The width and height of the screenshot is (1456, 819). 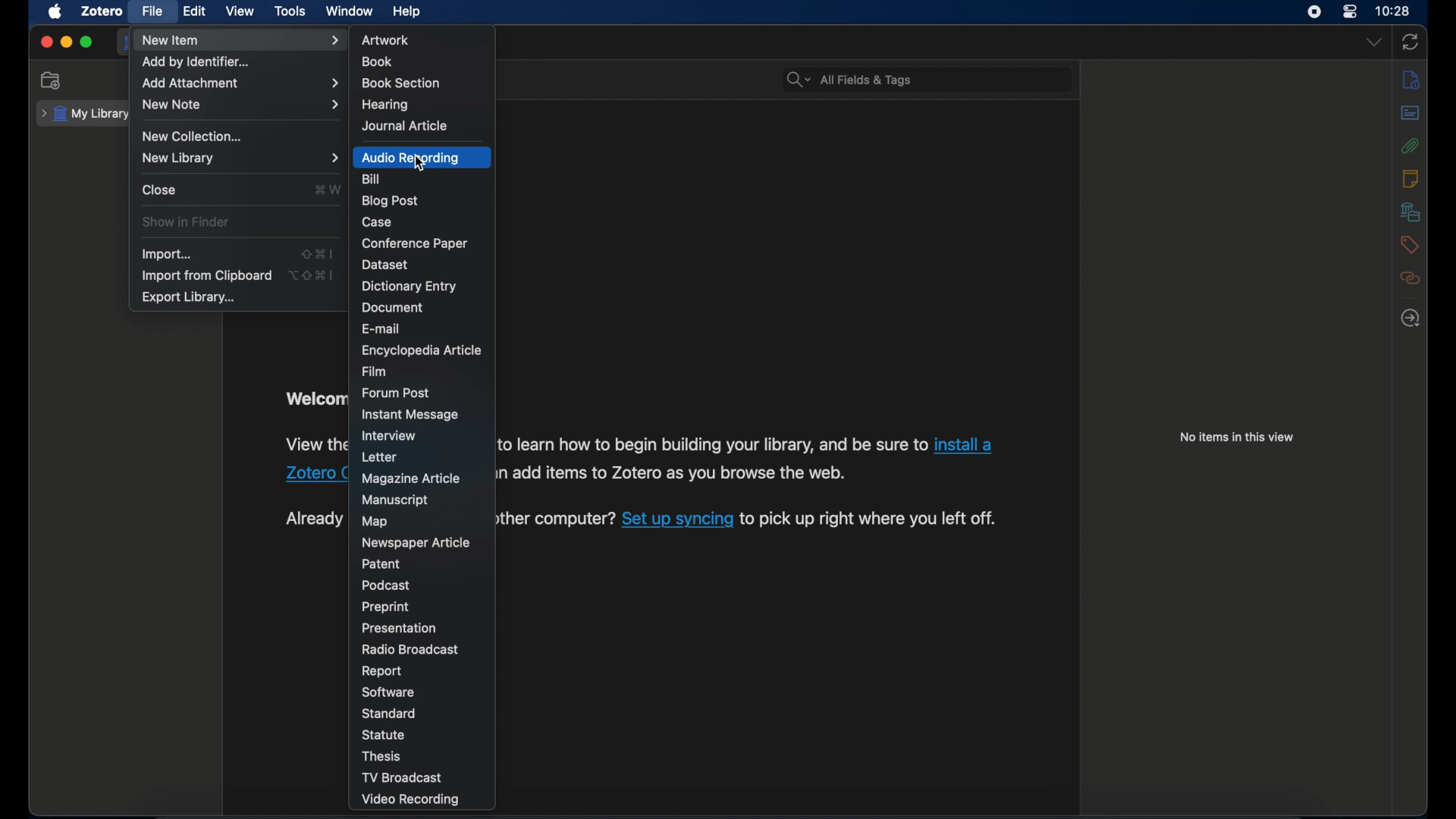 I want to click on new note, so click(x=240, y=105).